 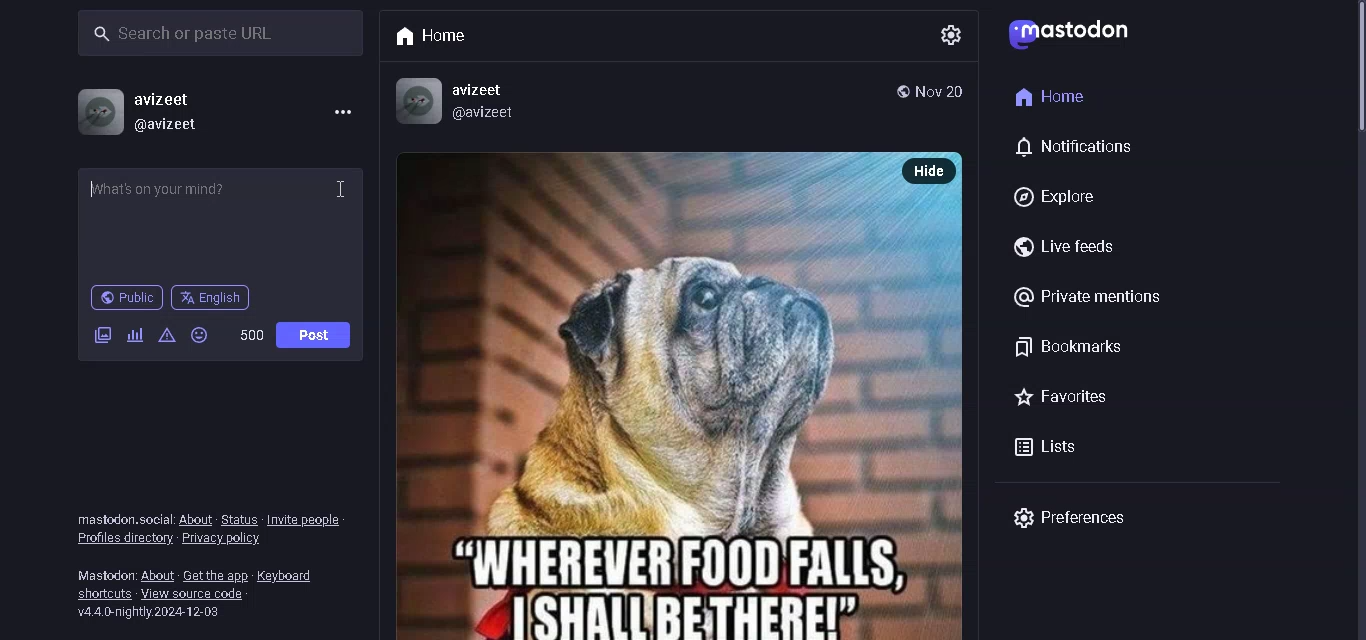 What do you see at coordinates (218, 223) in the screenshot?
I see `whats on your mind` at bounding box center [218, 223].